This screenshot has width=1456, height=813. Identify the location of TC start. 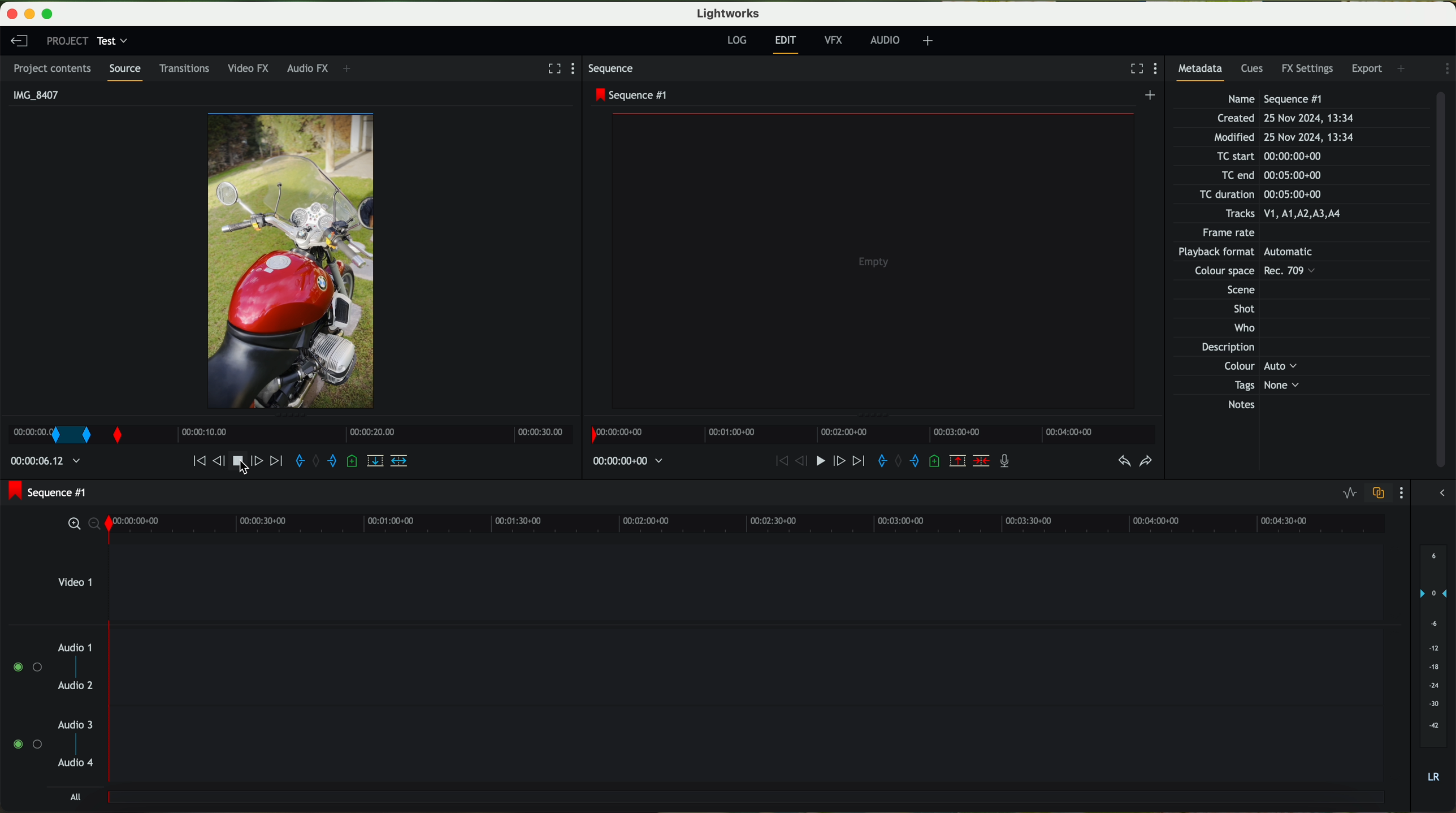
(1267, 157).